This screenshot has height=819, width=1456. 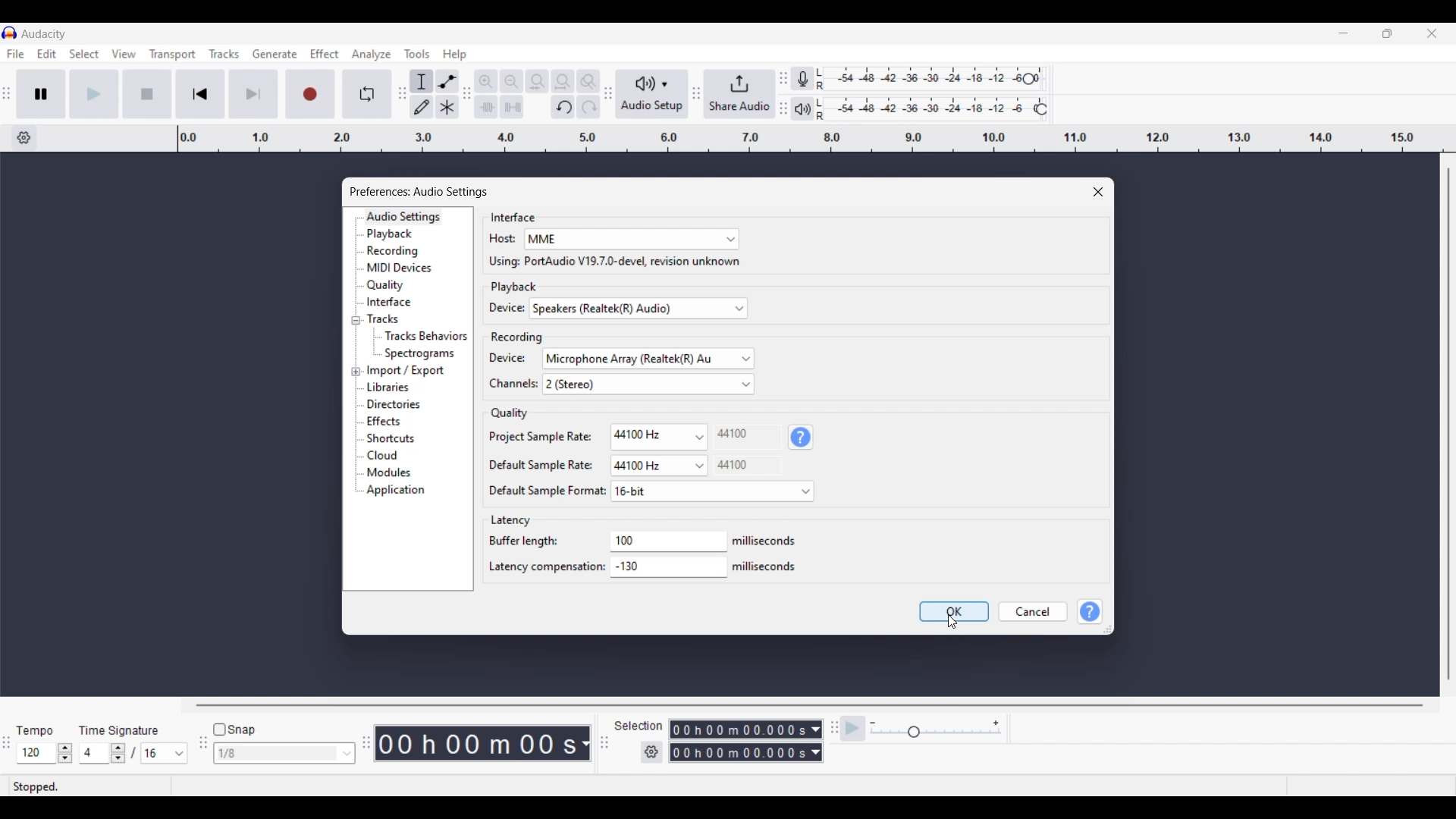 What do you see at coordinates (652, 752) in the screenshot?
I see `Selection settings` at bounding box center [652, 752].